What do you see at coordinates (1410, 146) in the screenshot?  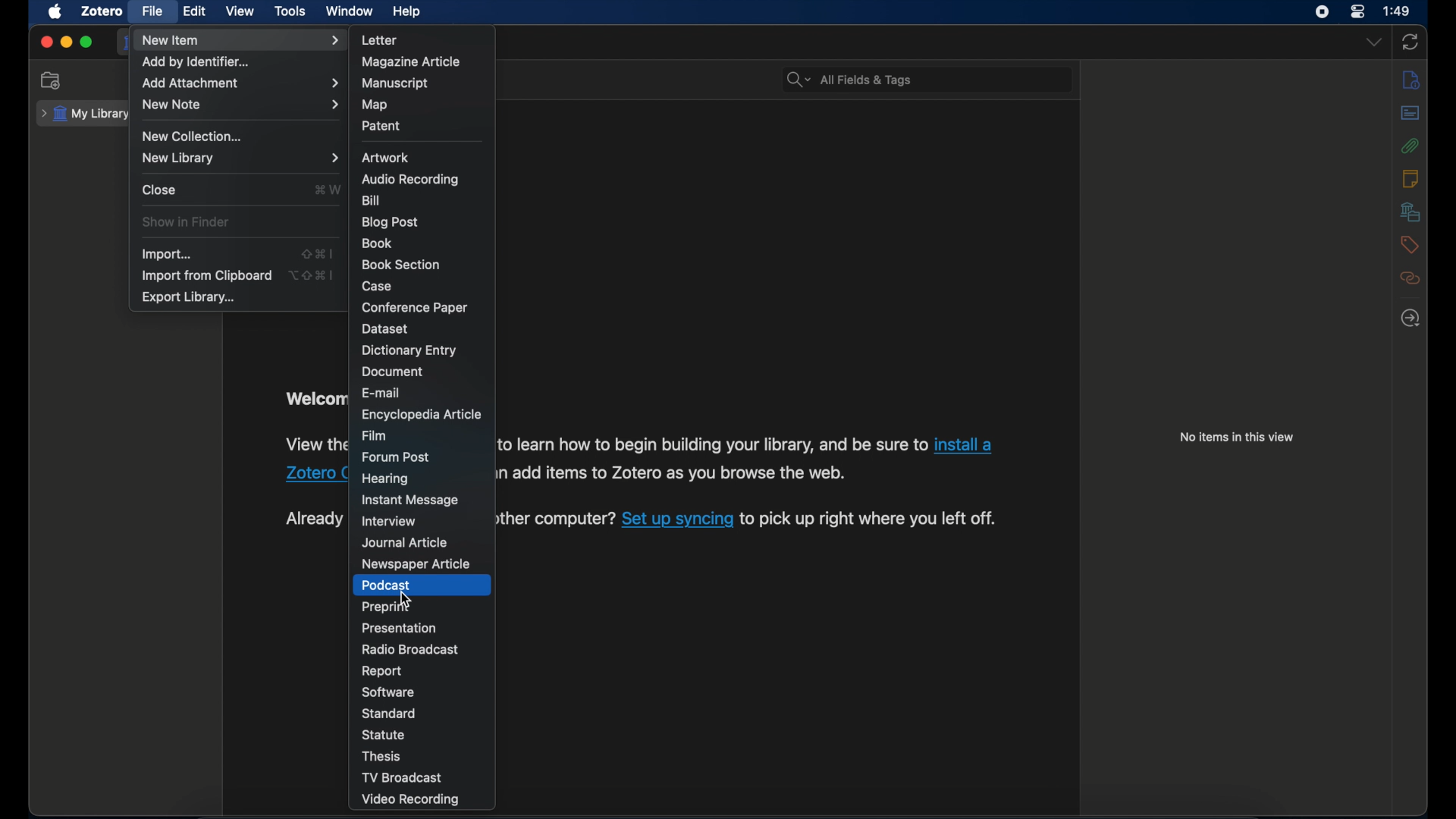 I see `attachments` at bounding box center [1410, 146].